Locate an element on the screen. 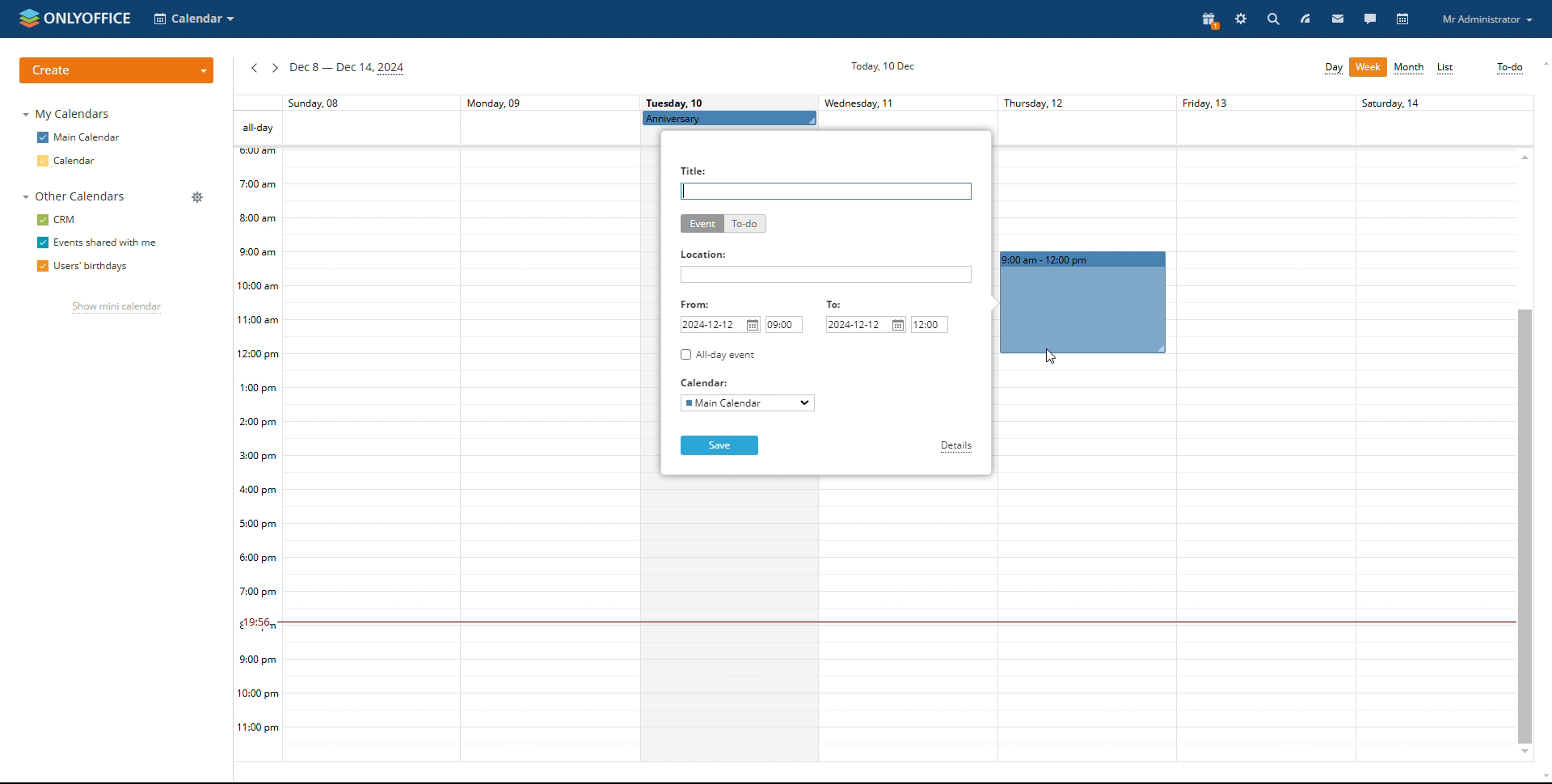 The width and height of the screenshot is (1552, 784). add location is located at coordinates (824, 275).